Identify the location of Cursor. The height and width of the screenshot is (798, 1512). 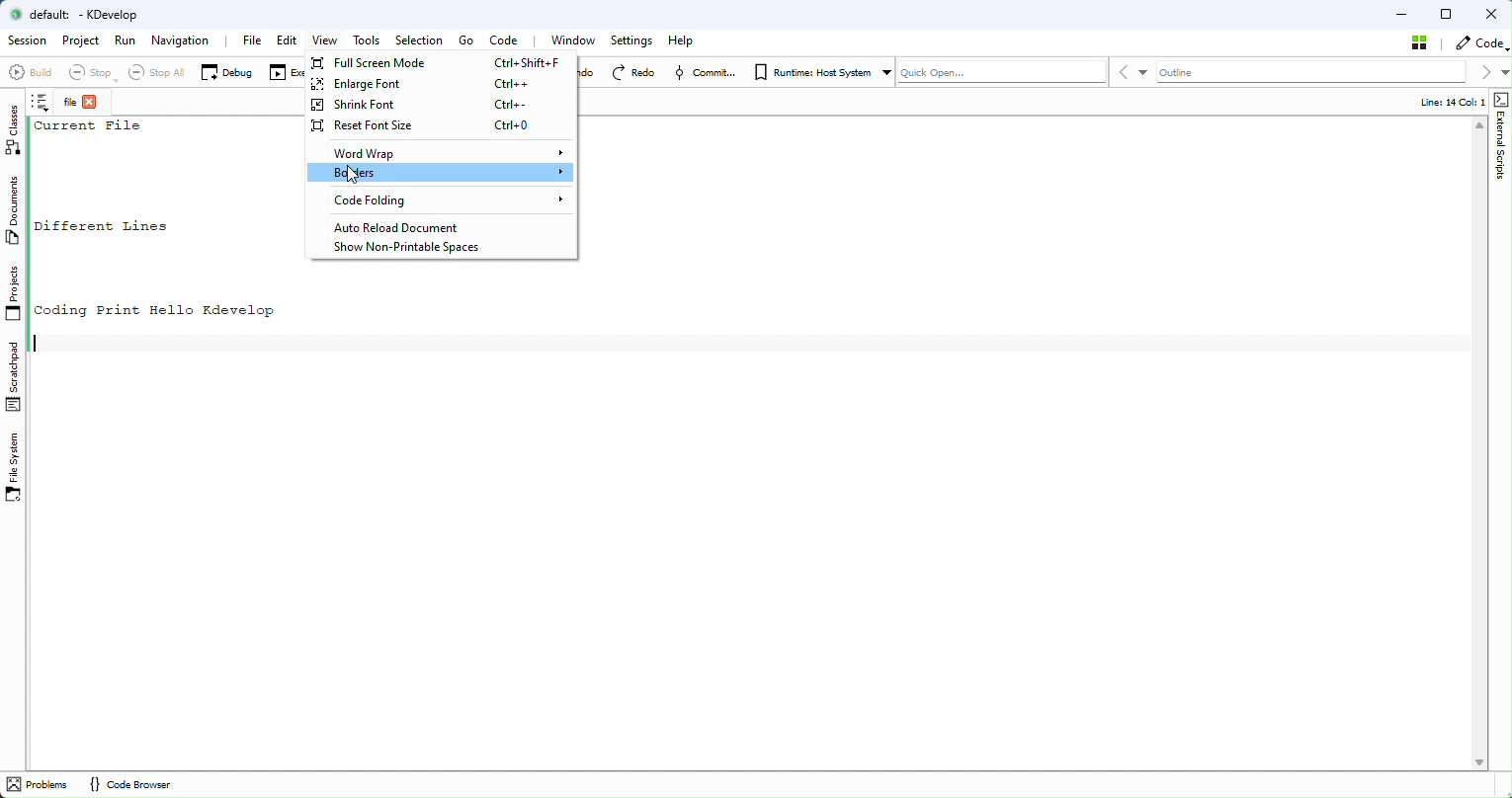
(351, 176).